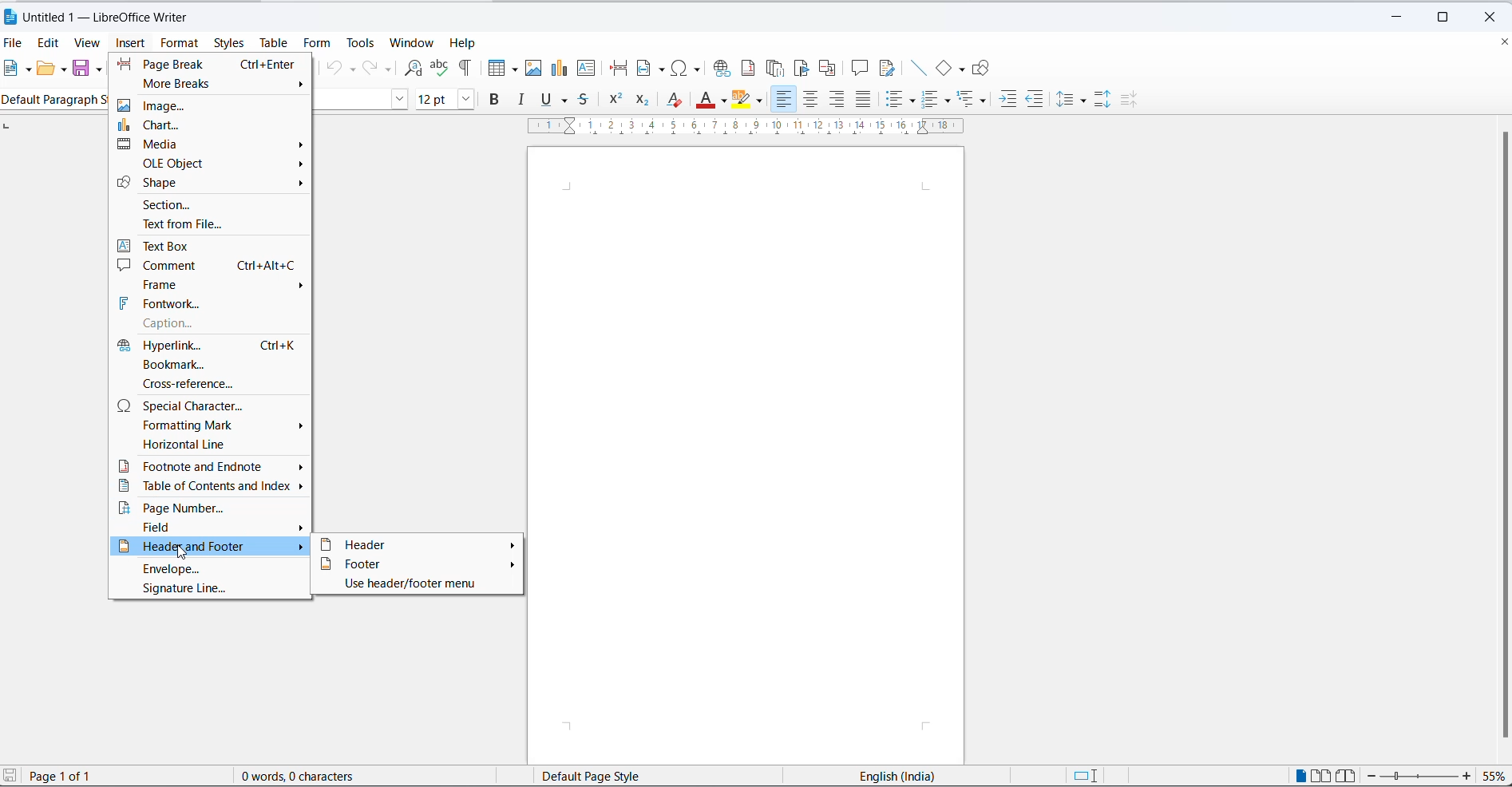  I want to click on new file options, so click(27, 69).